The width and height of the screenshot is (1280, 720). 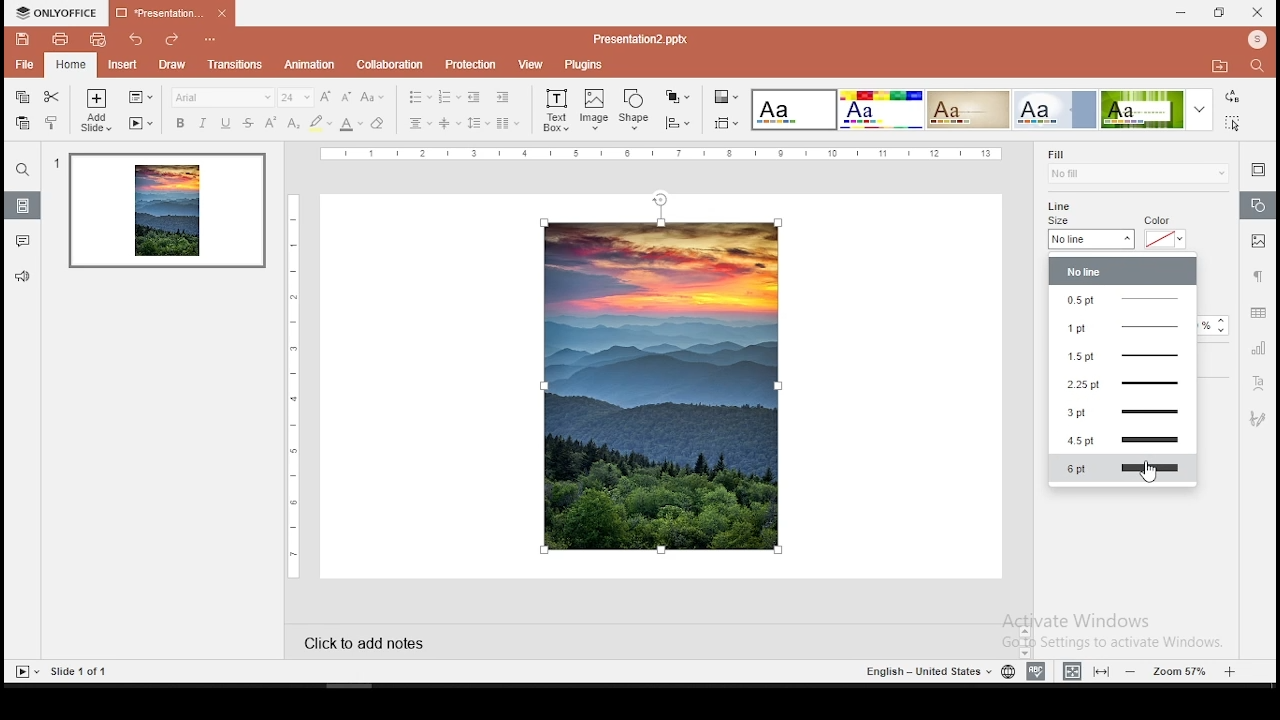 I want to click on table settings, so click(x=1260, y=314).